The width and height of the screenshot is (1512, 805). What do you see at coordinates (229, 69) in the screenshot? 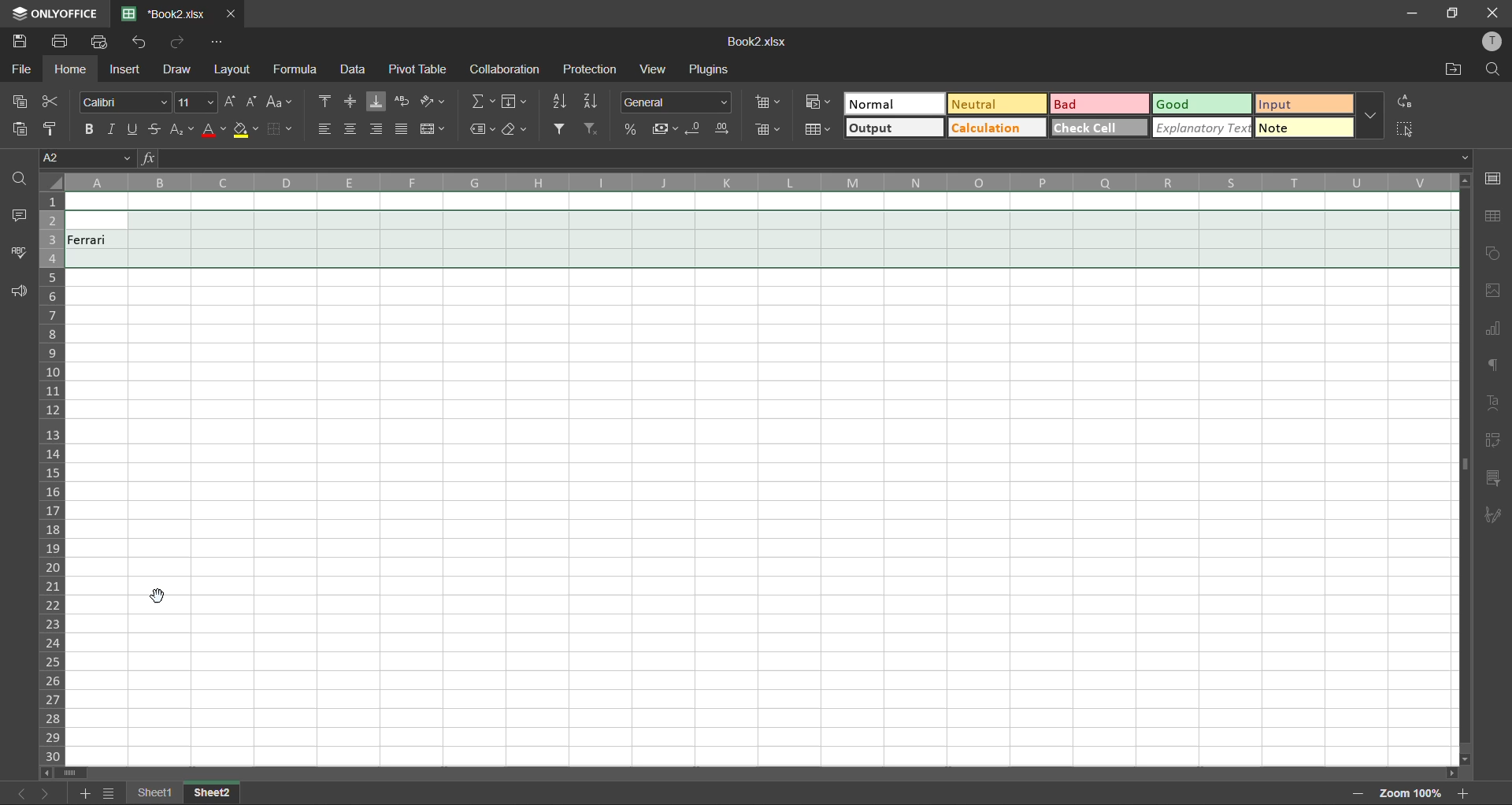
I see `layout` at bounding box center [229, 69].